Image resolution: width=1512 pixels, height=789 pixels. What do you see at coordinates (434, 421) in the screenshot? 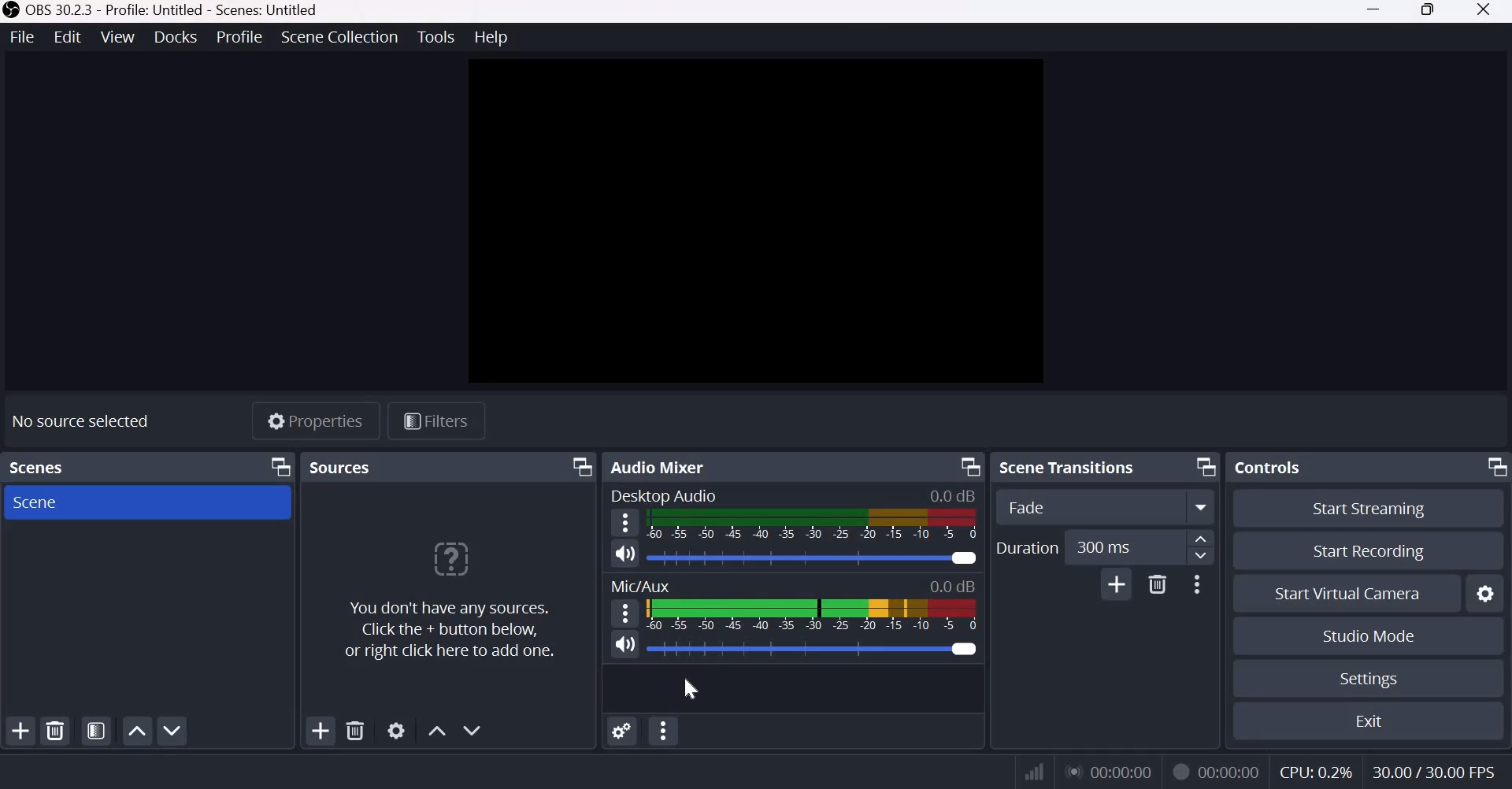
I see `Filters` at bounding box center [434, 421].